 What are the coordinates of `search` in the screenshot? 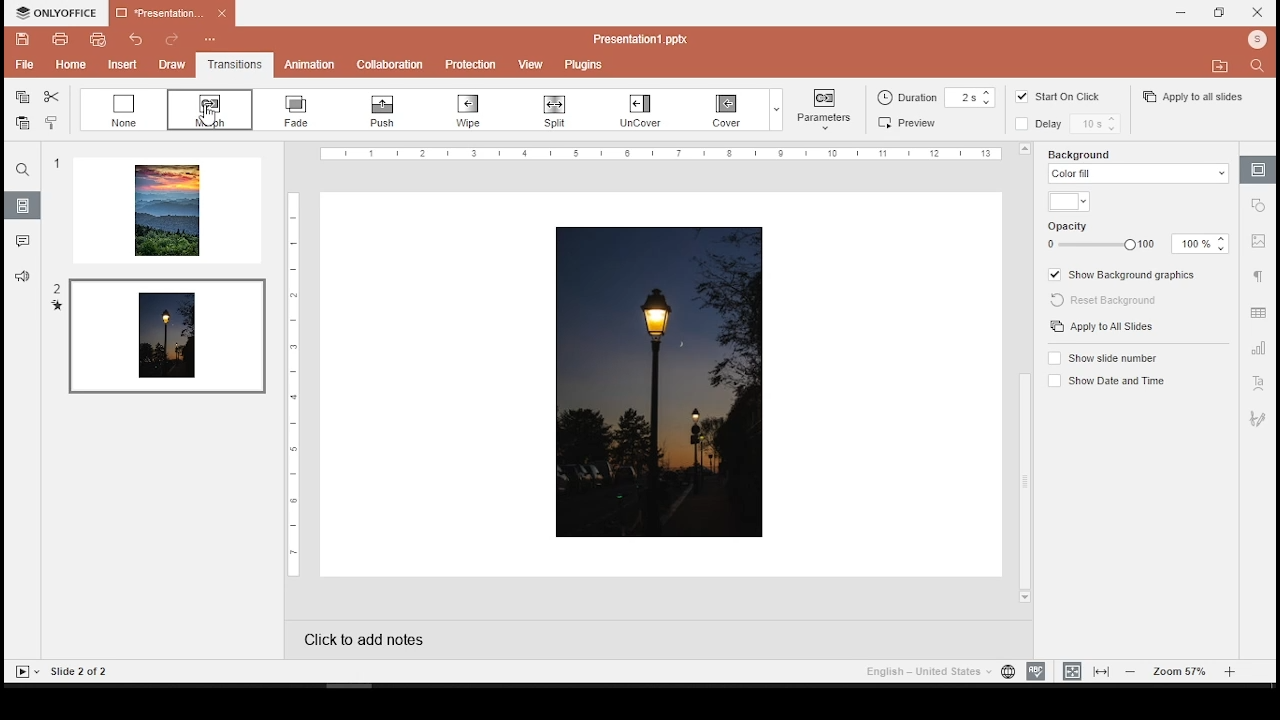 It's located at (1260, 69).